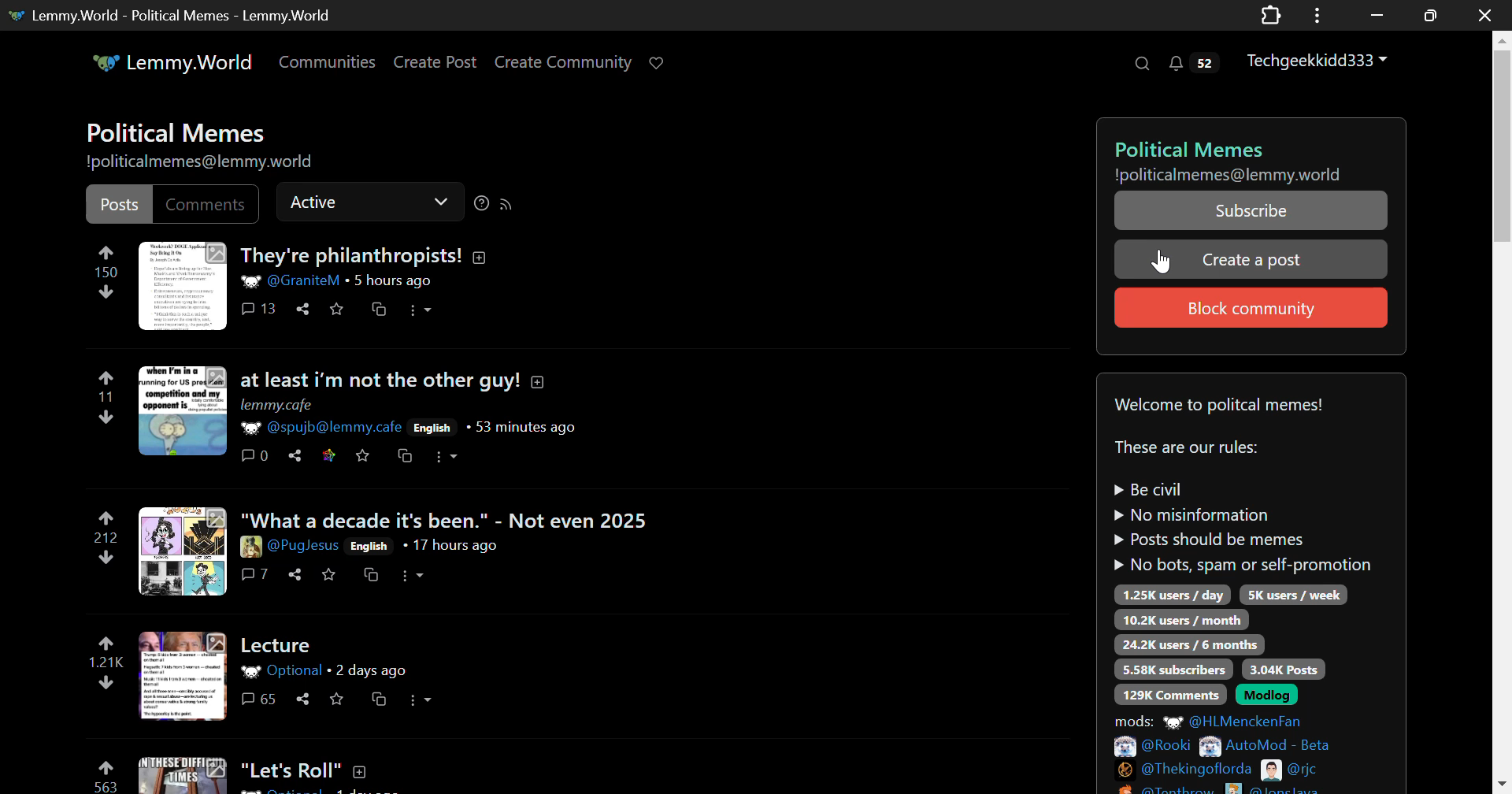  What do you see at coordinates (564, 61) in the screenshot?
I see `Create Community Page Link` at bounding box center [564, 61].